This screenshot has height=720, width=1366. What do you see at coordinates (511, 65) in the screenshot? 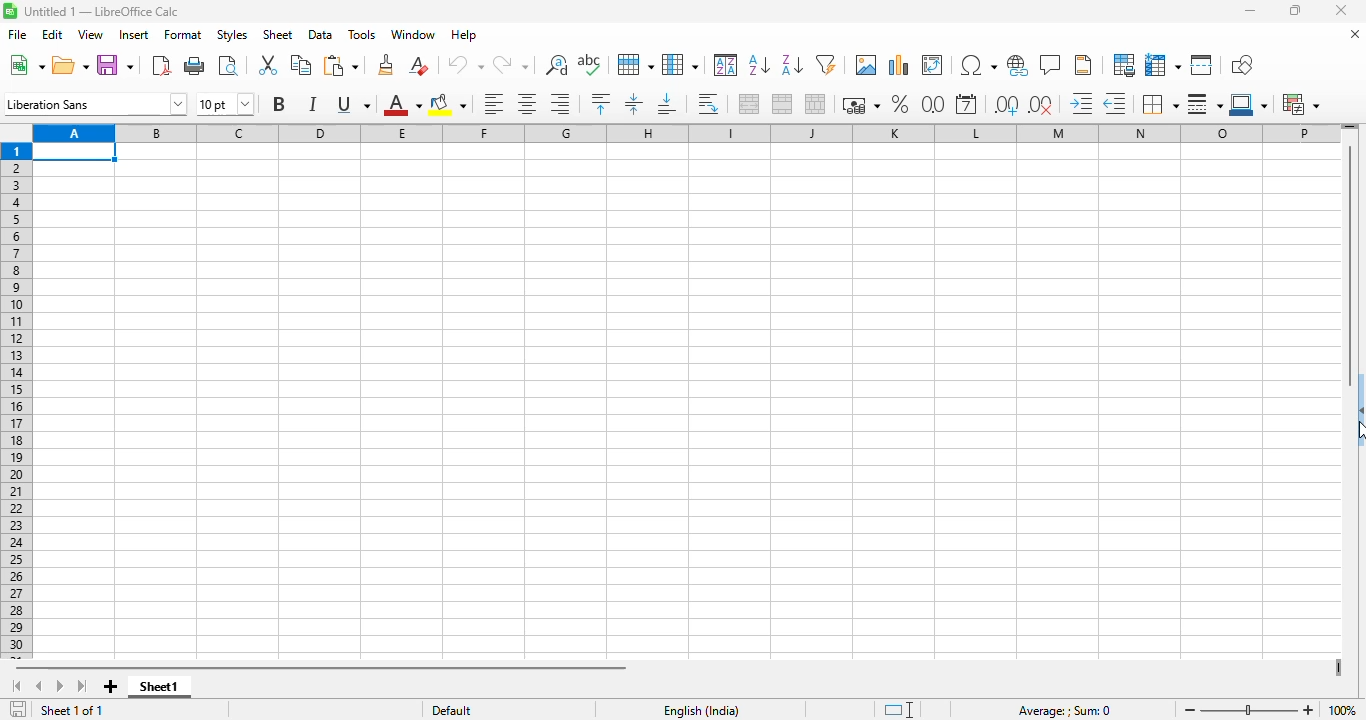
I see `redo` at bounding box center [511, 65].